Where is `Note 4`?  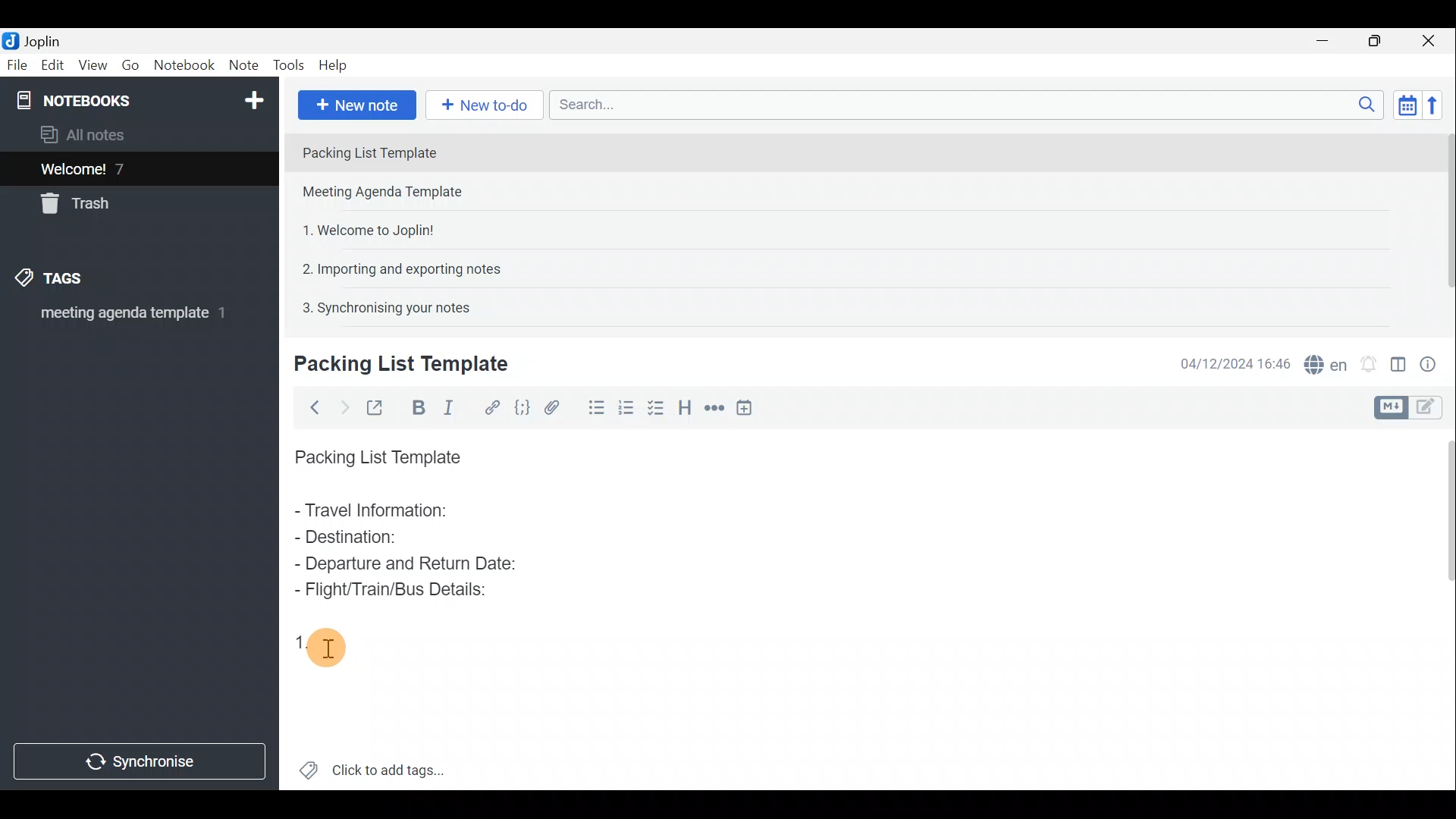
Note 4 is located at coordinates (394, 266).